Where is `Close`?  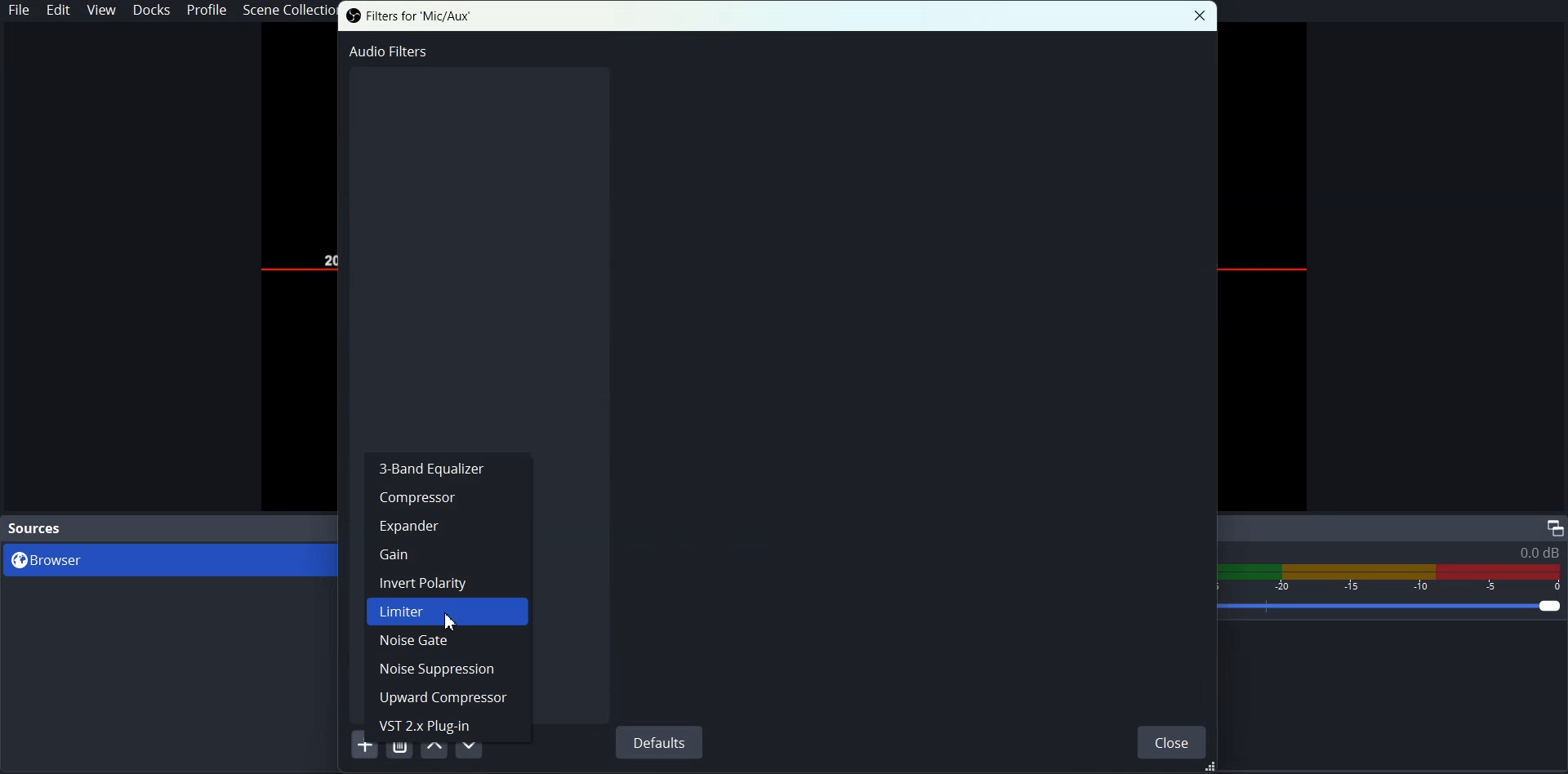 Close is located at coordinates (1202, 16).